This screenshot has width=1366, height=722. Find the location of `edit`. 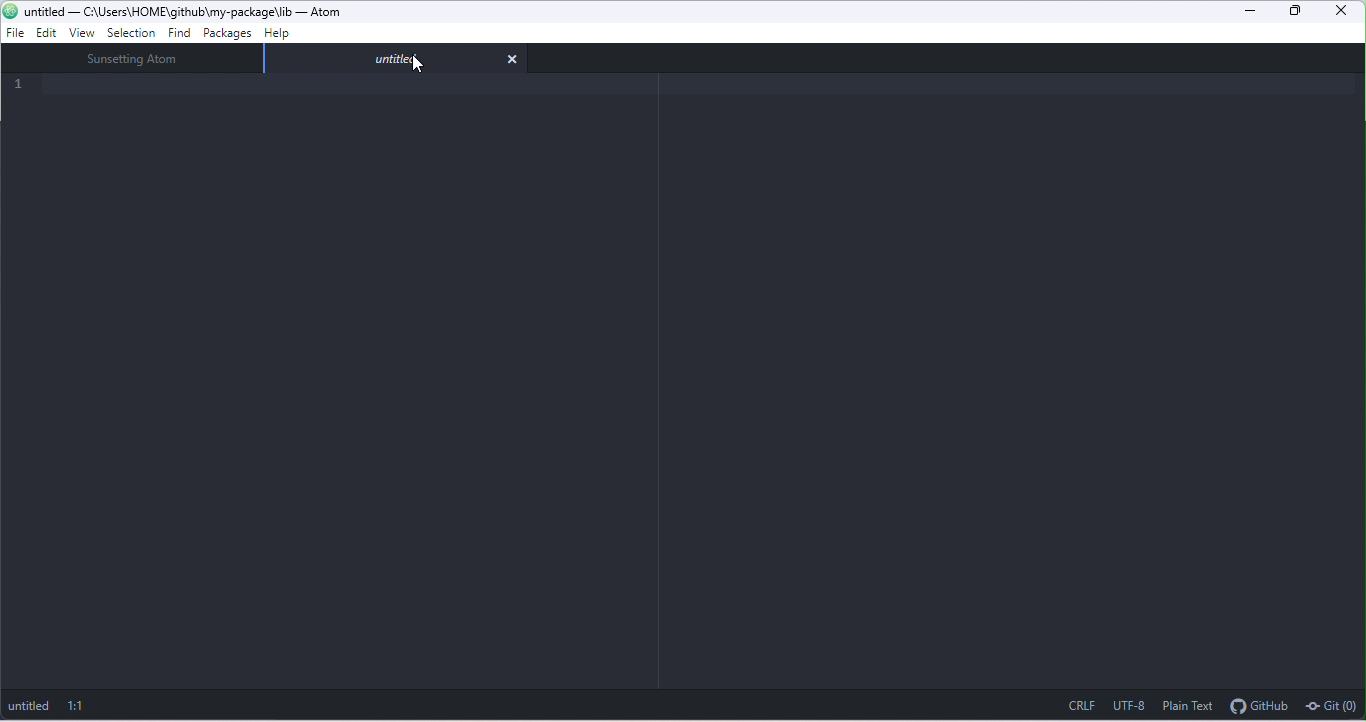

edit is located at coordinates (47, 33).